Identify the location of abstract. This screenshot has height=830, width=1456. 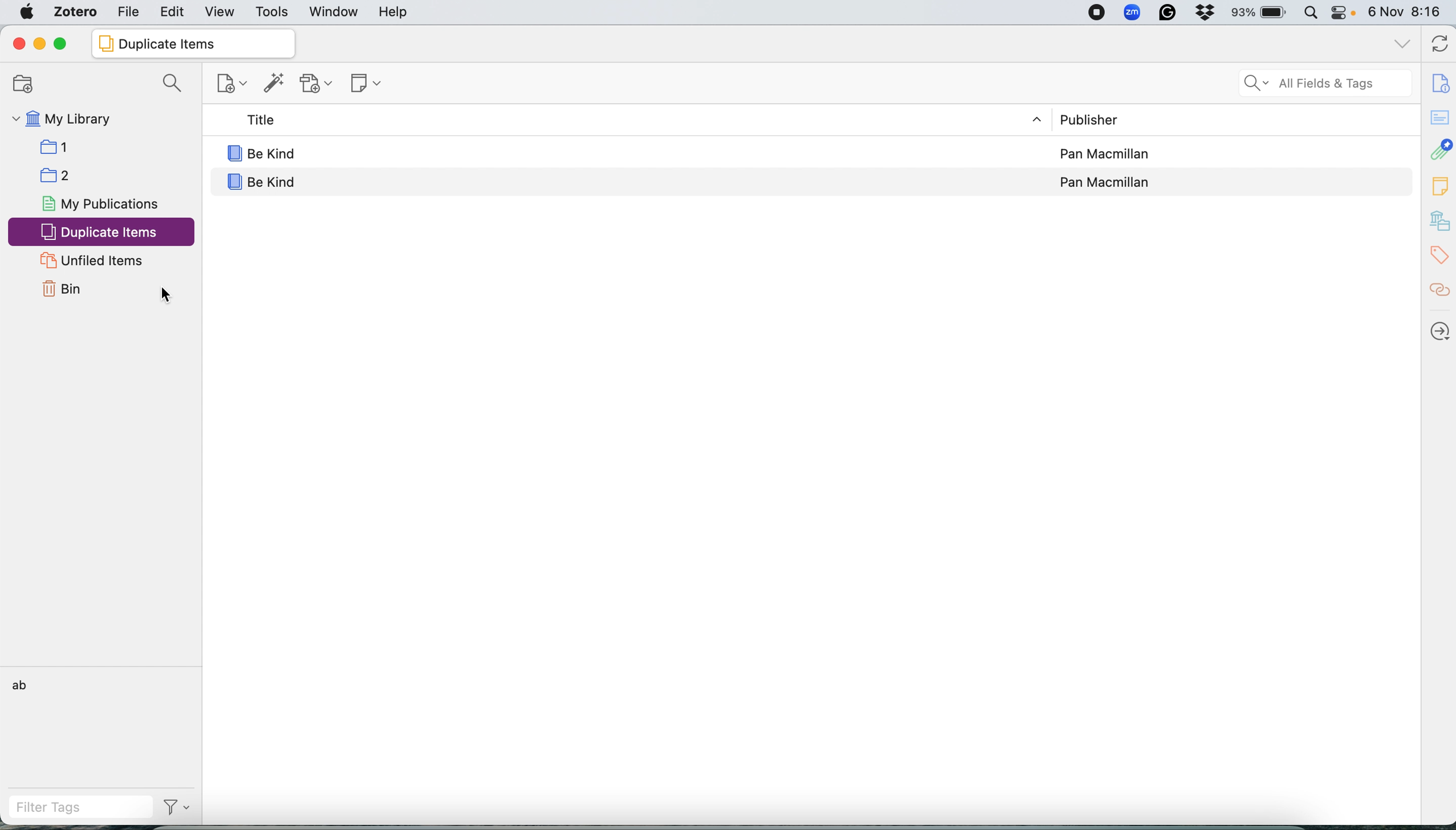
(1439, 115).